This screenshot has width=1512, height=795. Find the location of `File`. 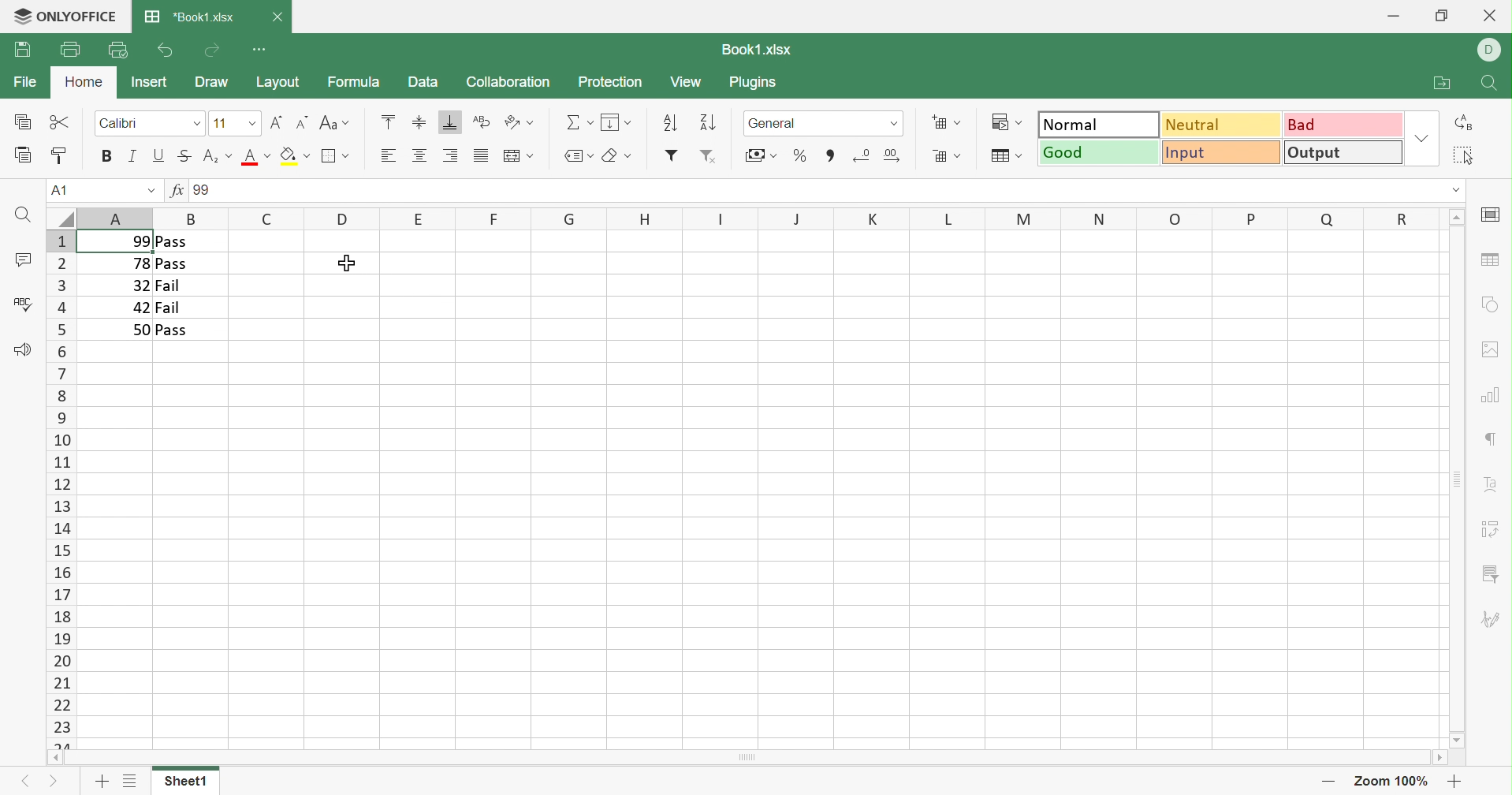

File is located at coordinates (26, 81).